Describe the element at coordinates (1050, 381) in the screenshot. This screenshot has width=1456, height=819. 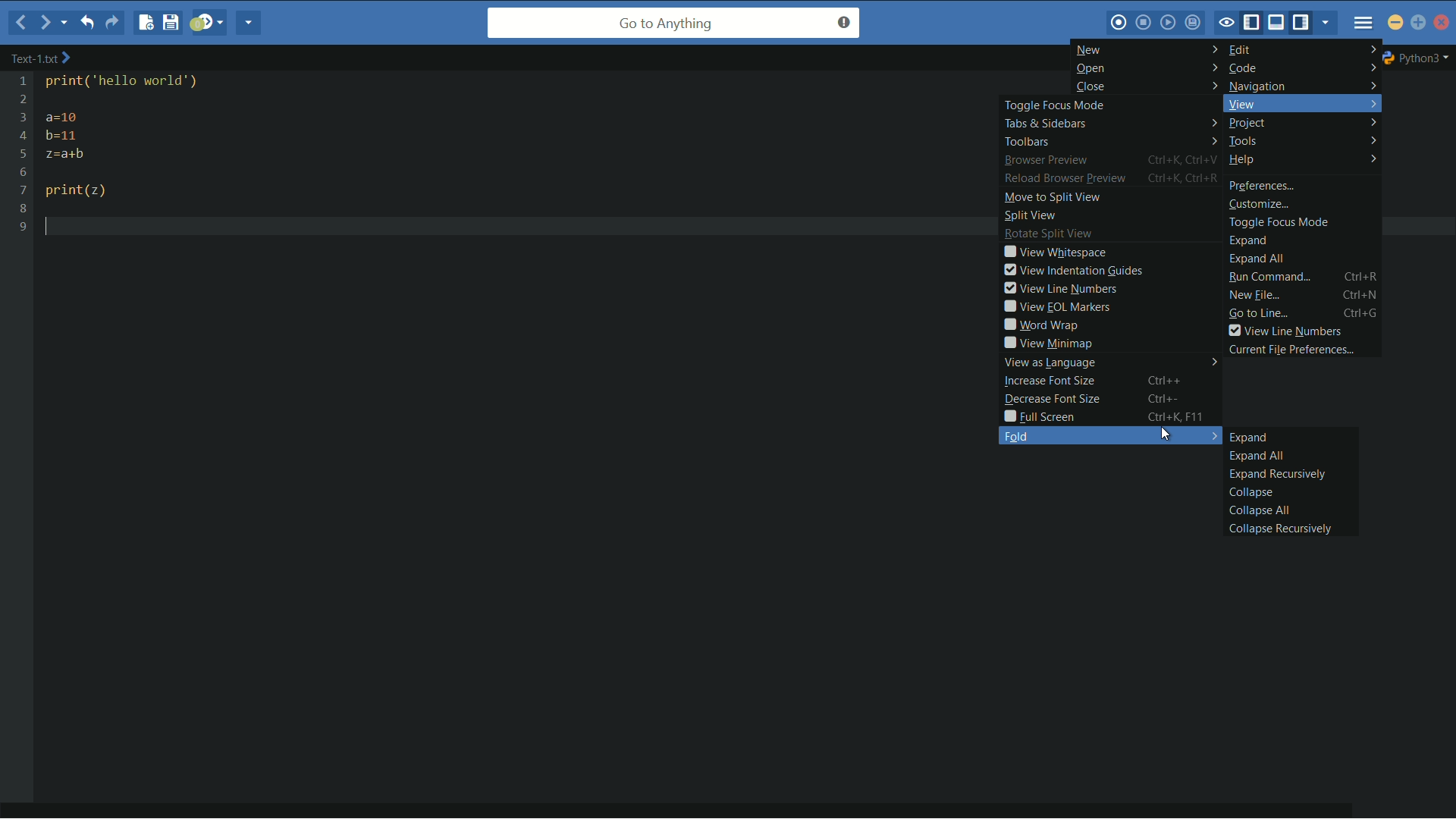
I see `increase font size` at that location.